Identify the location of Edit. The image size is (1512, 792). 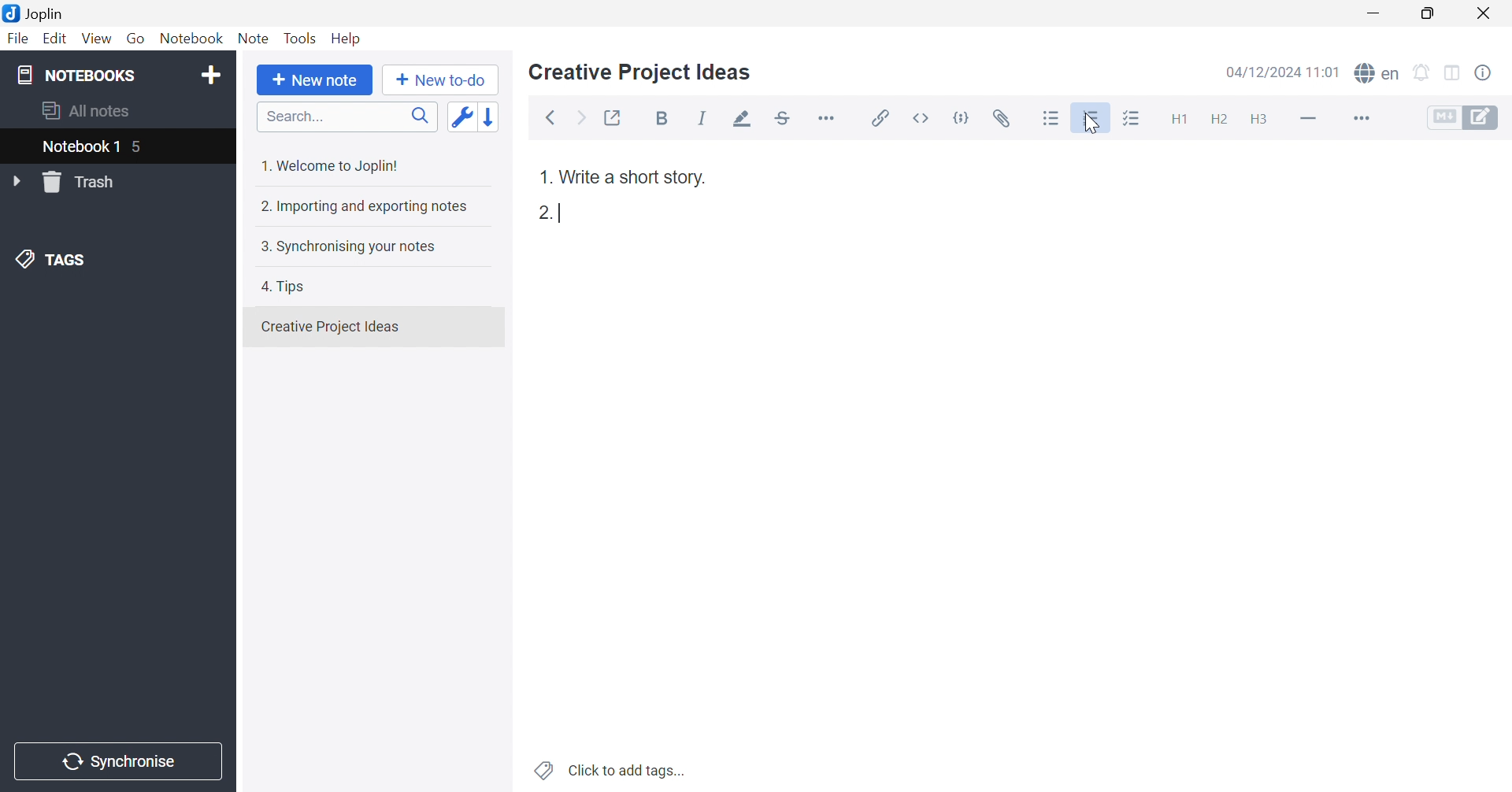
(56, 41).